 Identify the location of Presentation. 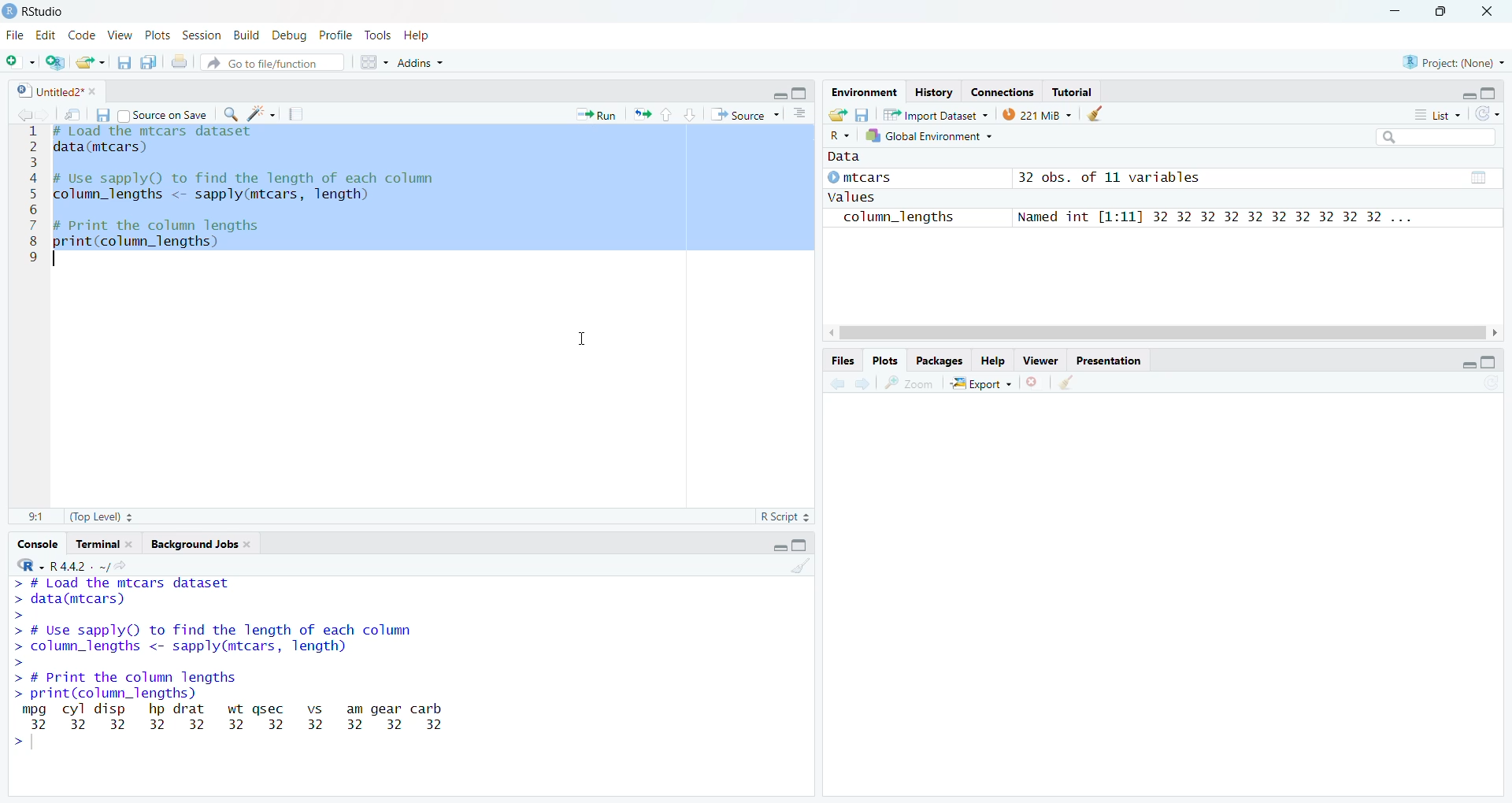
(1109, 361).